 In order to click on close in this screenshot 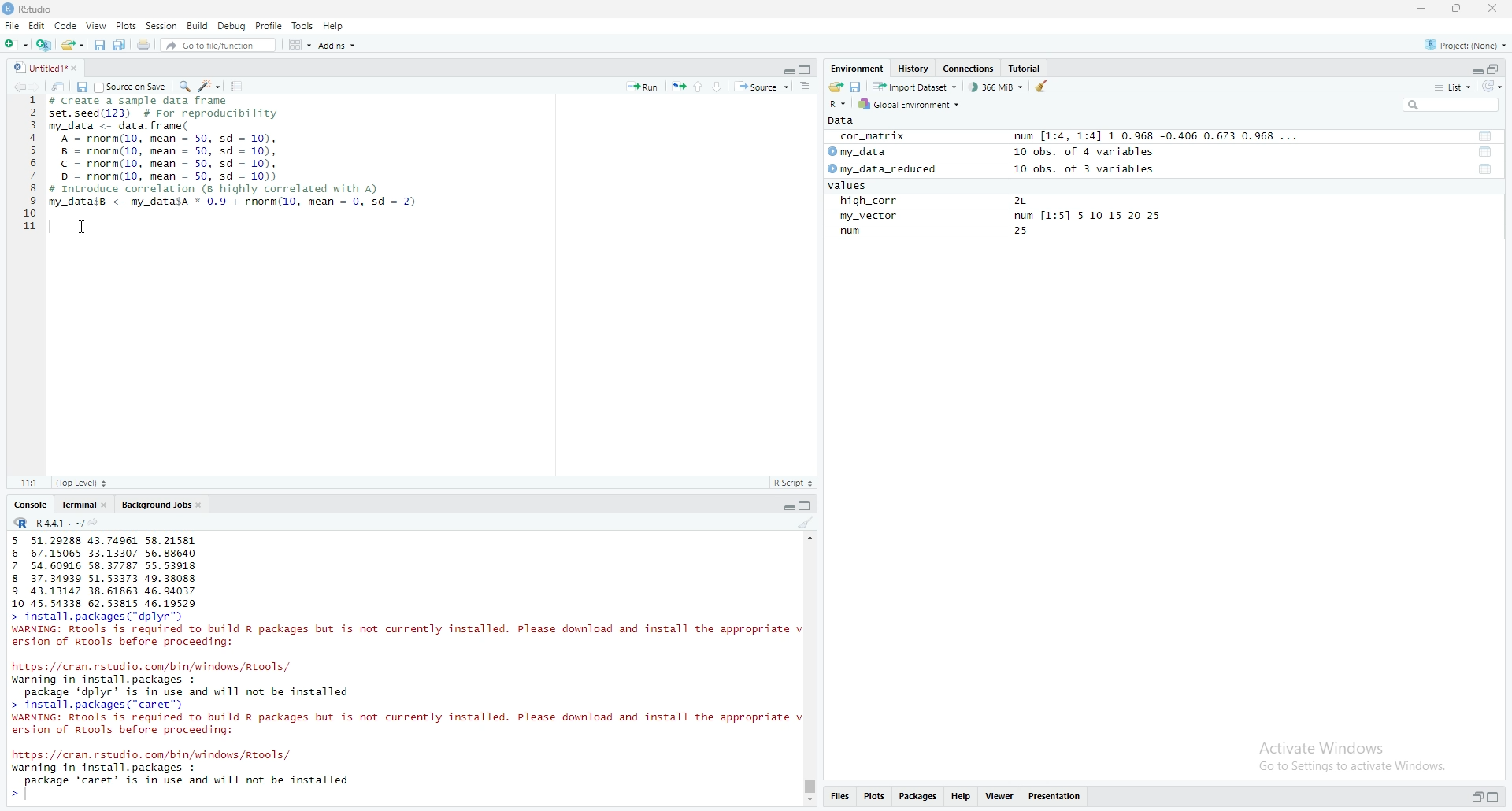, I will do `click(106, 505)`.